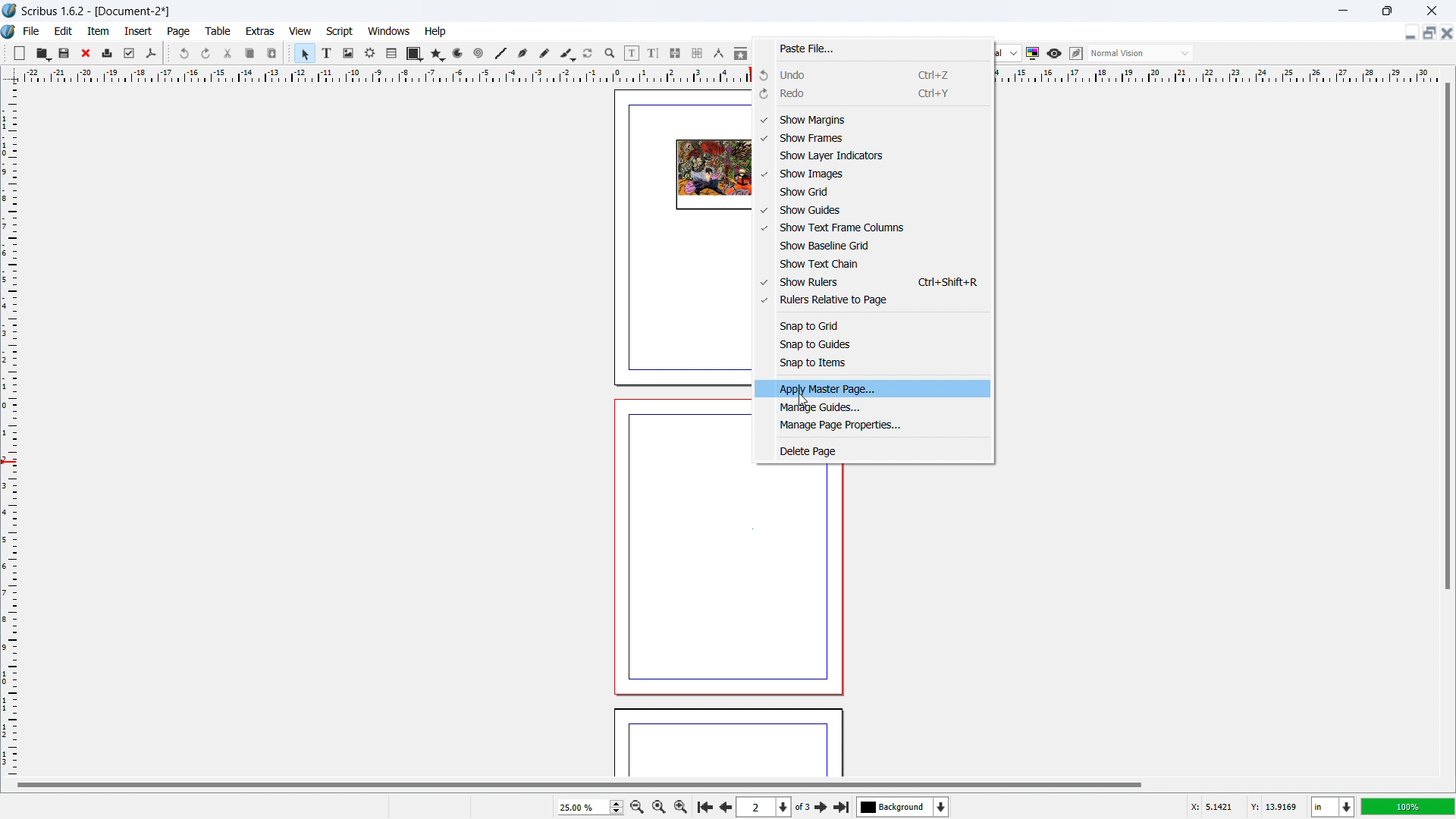  Describe the element at coordinates (873, 138) in the screenshot. I see `show frame toggle` at that location.